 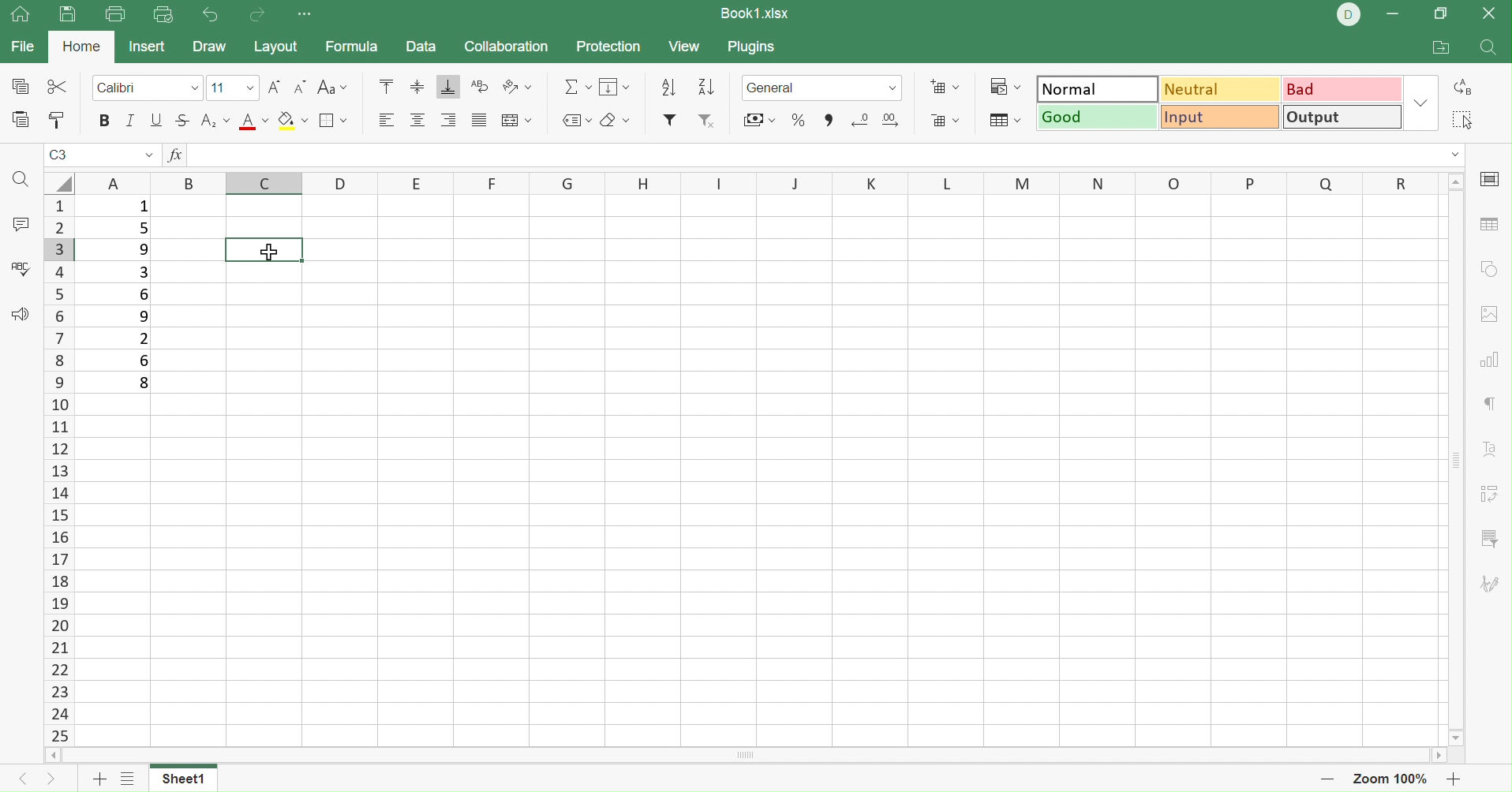 What do you see at coordinates (385, 86) in the screenshot?
I see `Align top` at bounding box center [385, 86].